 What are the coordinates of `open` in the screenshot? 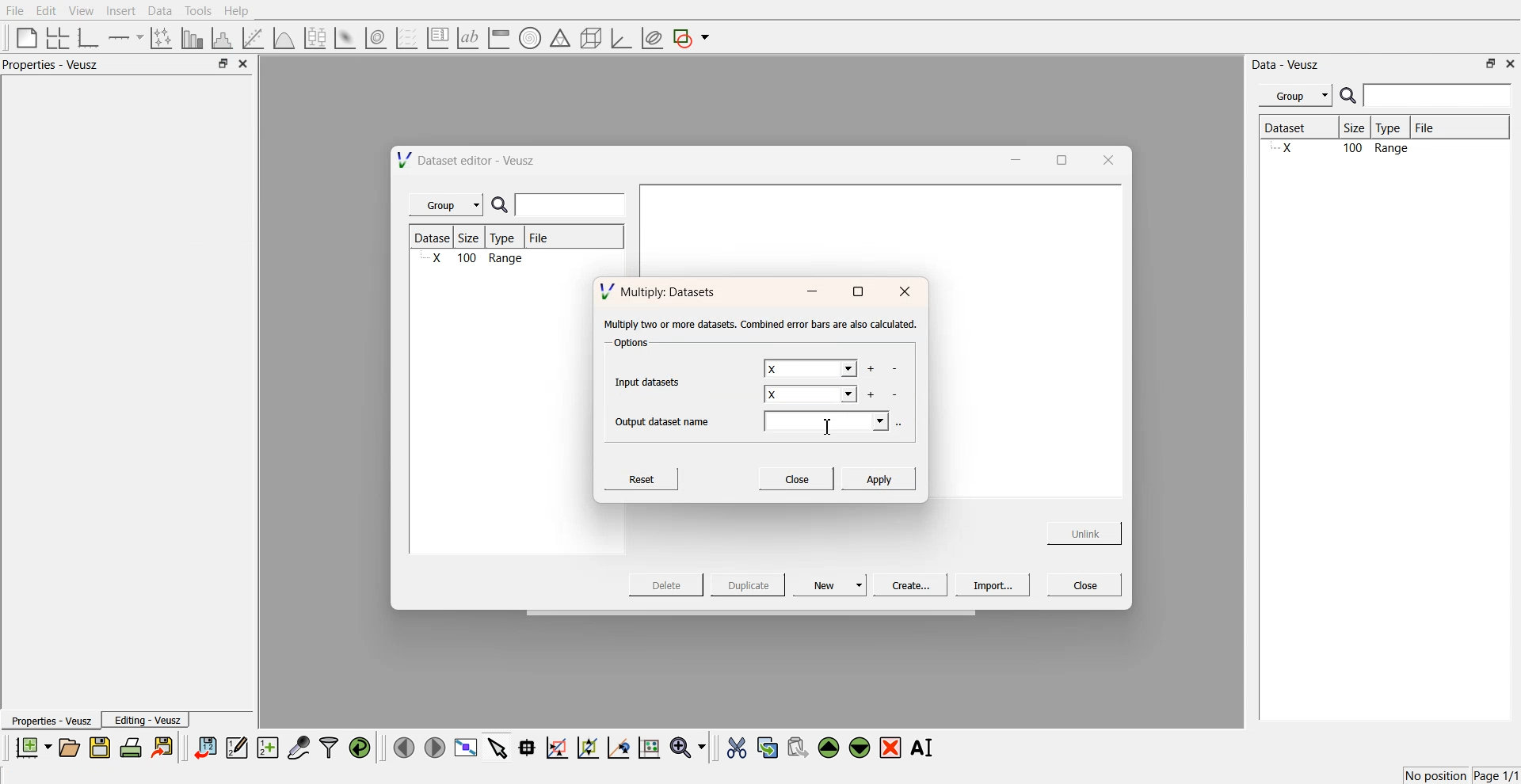 It's located at (69, 748).